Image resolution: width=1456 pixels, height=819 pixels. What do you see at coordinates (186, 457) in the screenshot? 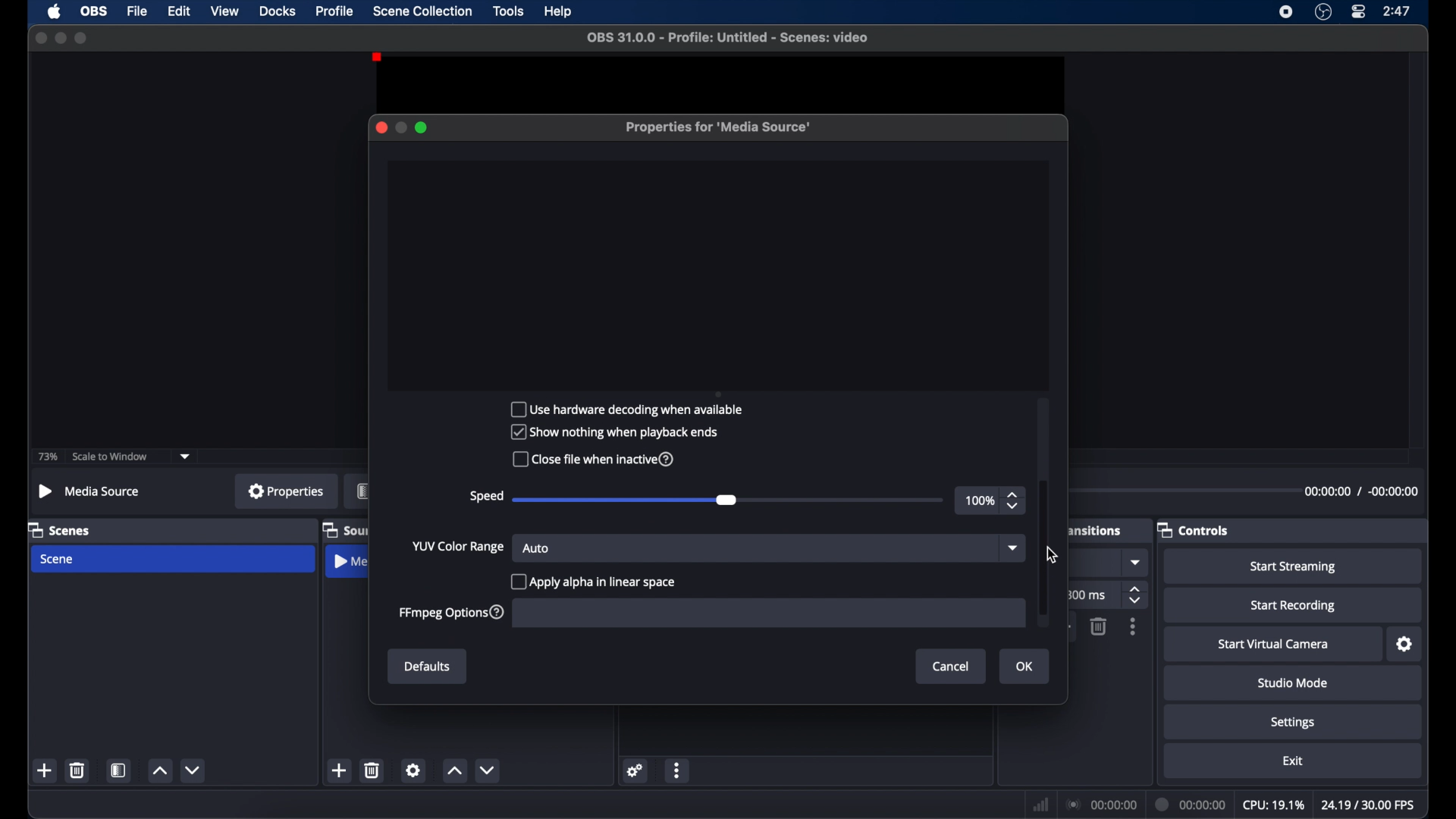
I see `dropdown` at bounding box center [186, 457].